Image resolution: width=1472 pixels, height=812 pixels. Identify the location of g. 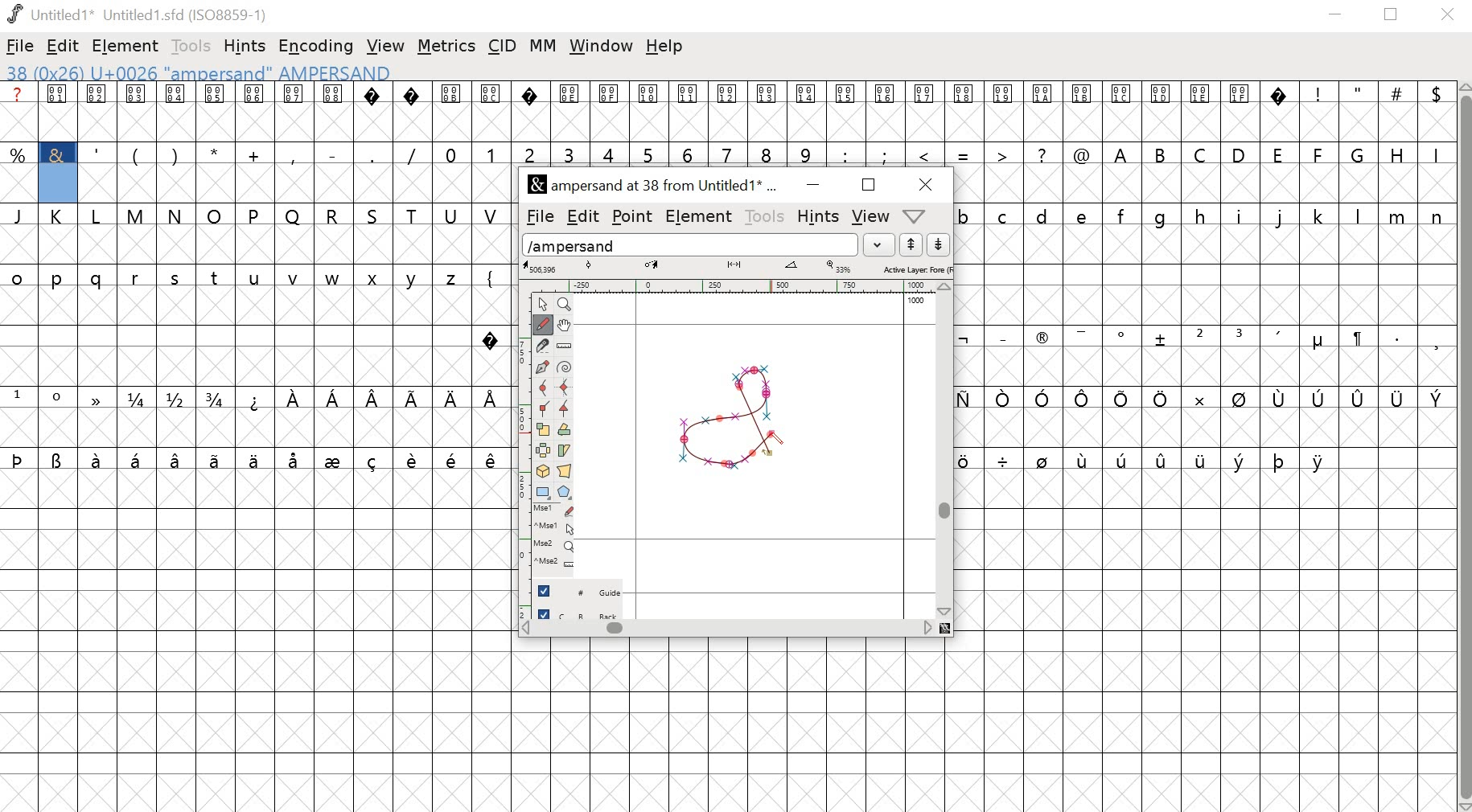
(1165, 216).